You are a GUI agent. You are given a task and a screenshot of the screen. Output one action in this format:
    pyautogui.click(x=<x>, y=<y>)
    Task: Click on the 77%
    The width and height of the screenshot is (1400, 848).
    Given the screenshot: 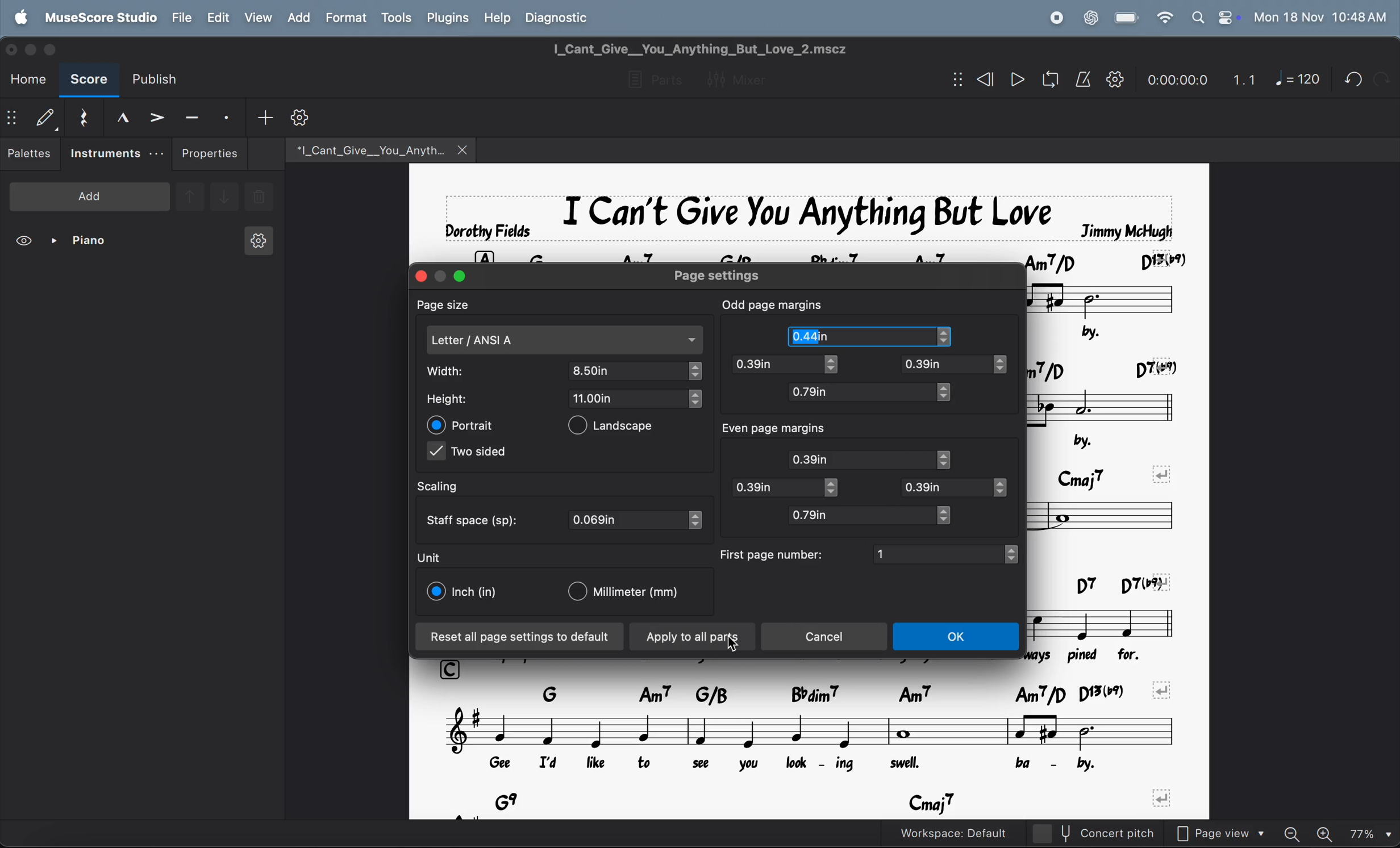 What is the action you would take?
    pyautogui.click(x=1370, y=832)
    